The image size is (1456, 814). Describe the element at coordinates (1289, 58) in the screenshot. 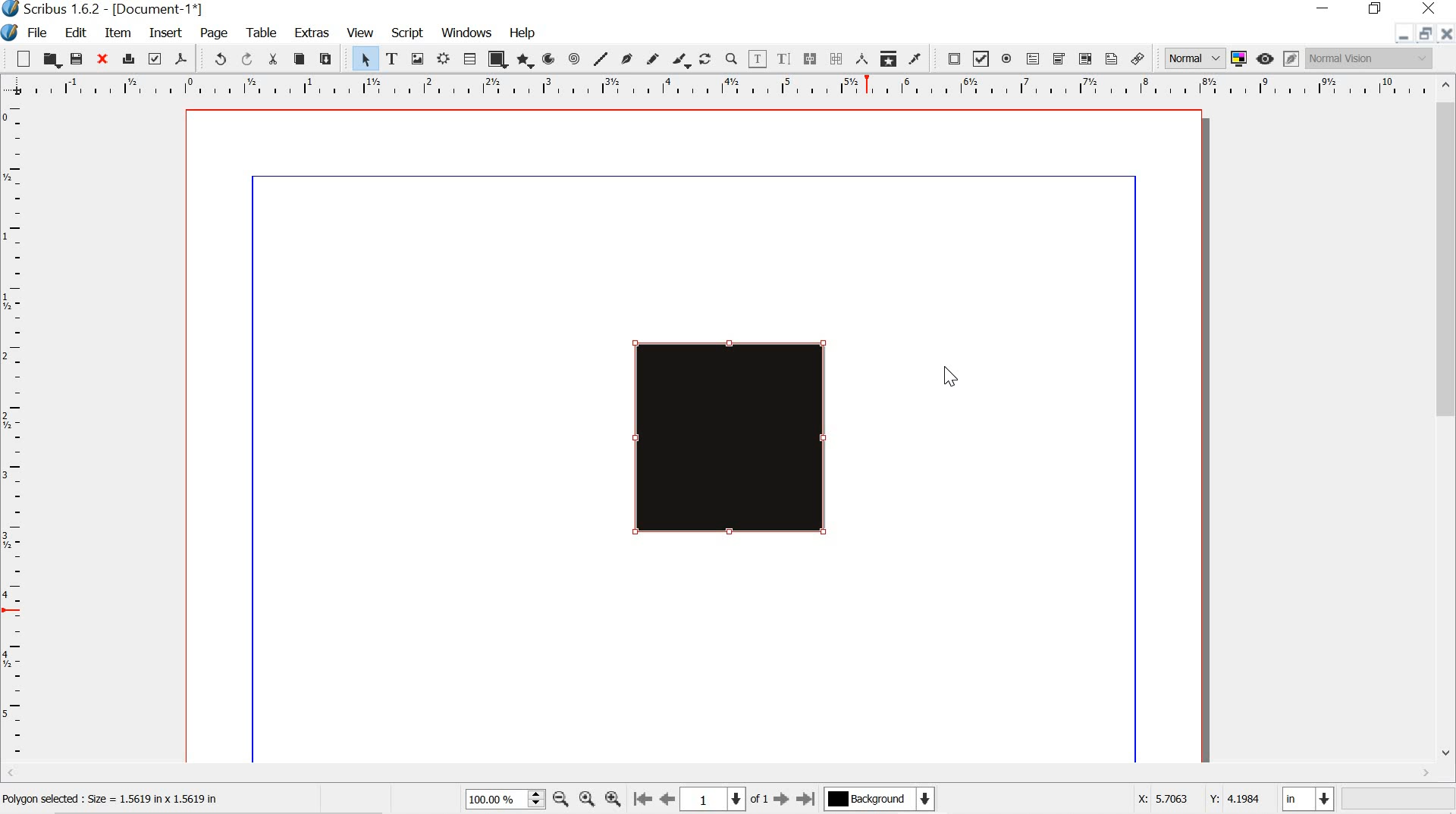

I see `edit in preview mode` at that location.